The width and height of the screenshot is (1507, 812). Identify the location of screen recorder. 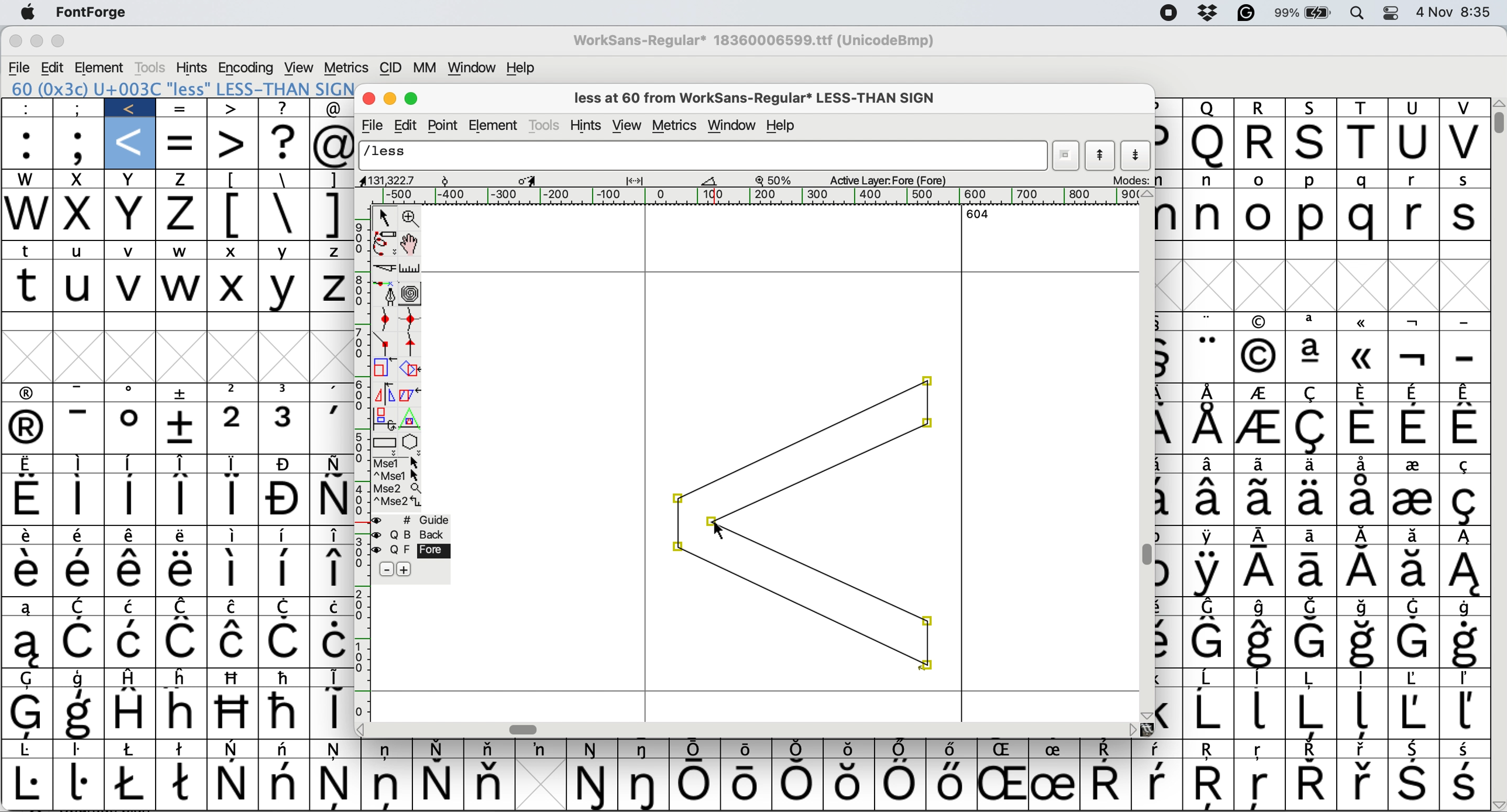
(1168, 15).